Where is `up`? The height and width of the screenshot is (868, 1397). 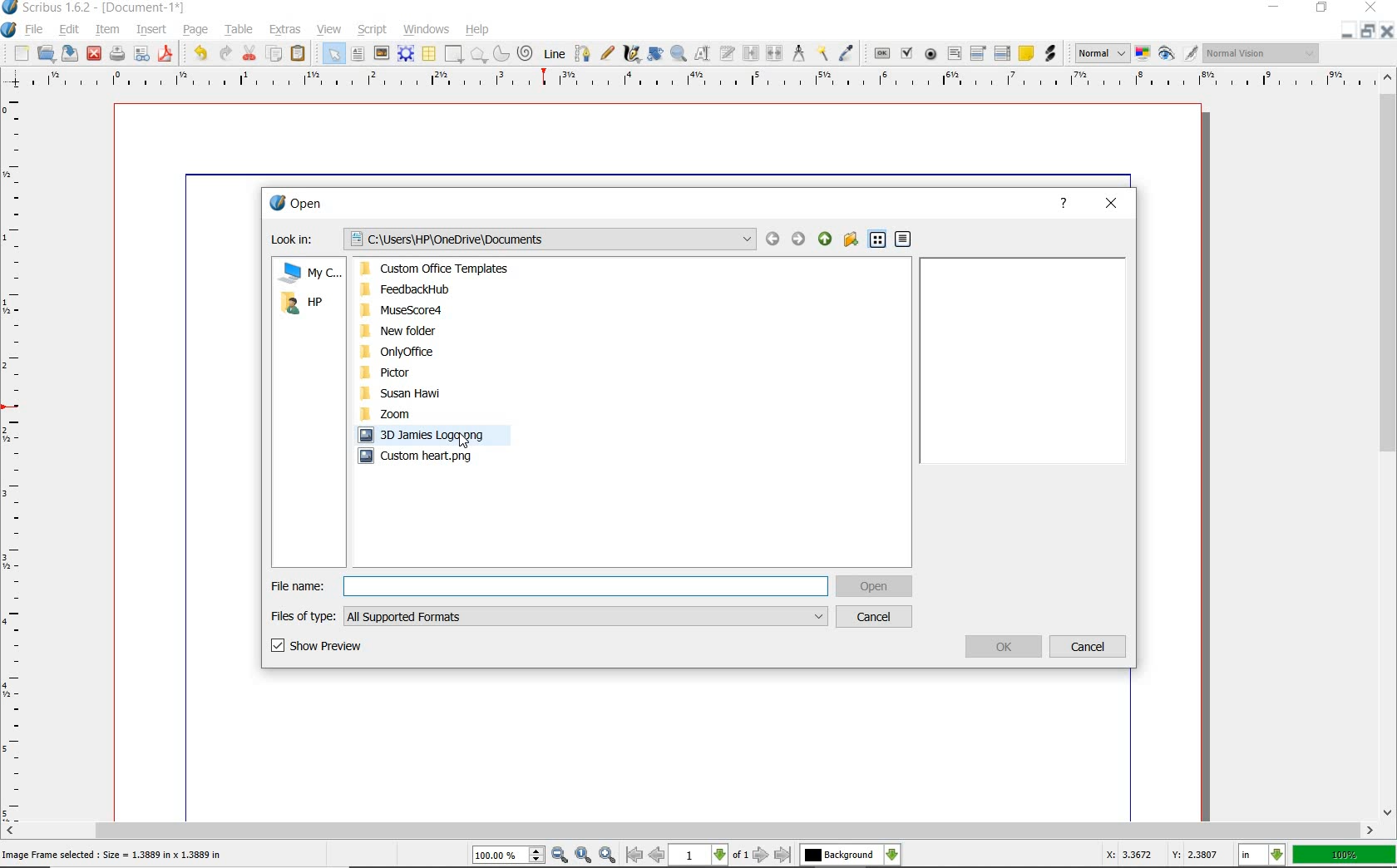 up is located at coordinates (826, 239).